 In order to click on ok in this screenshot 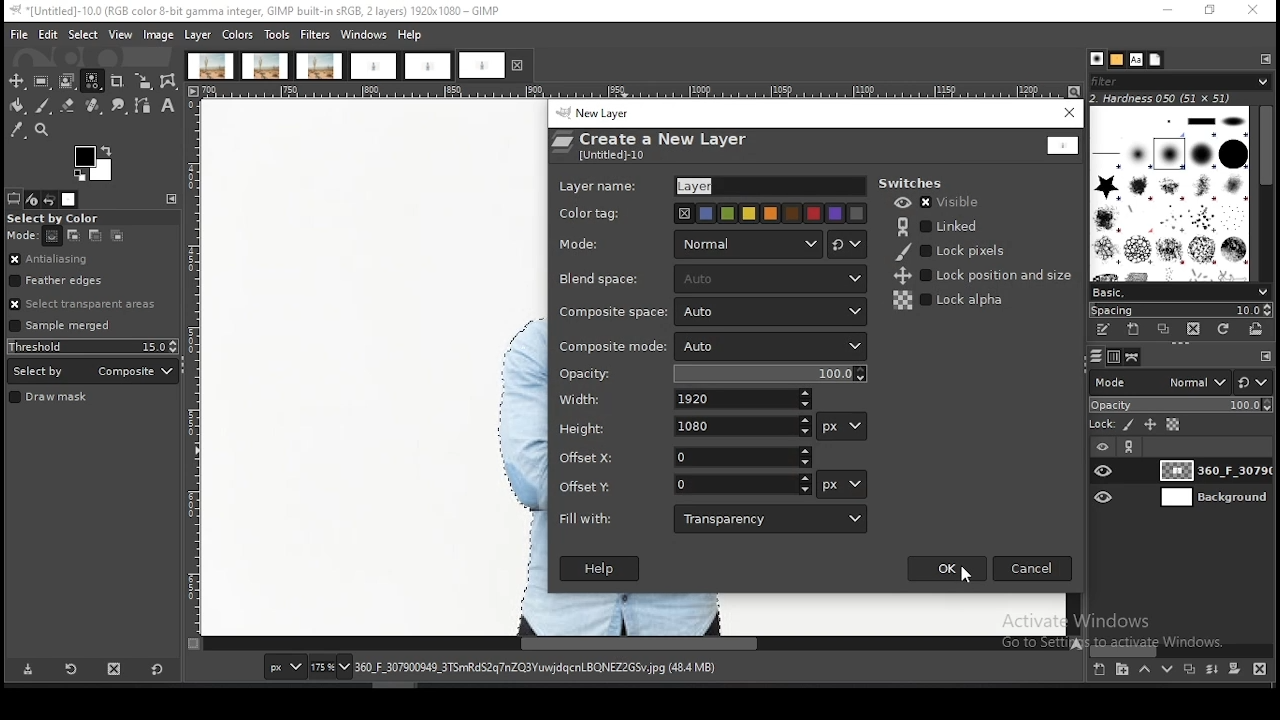, I will do `click(945, 569)`.